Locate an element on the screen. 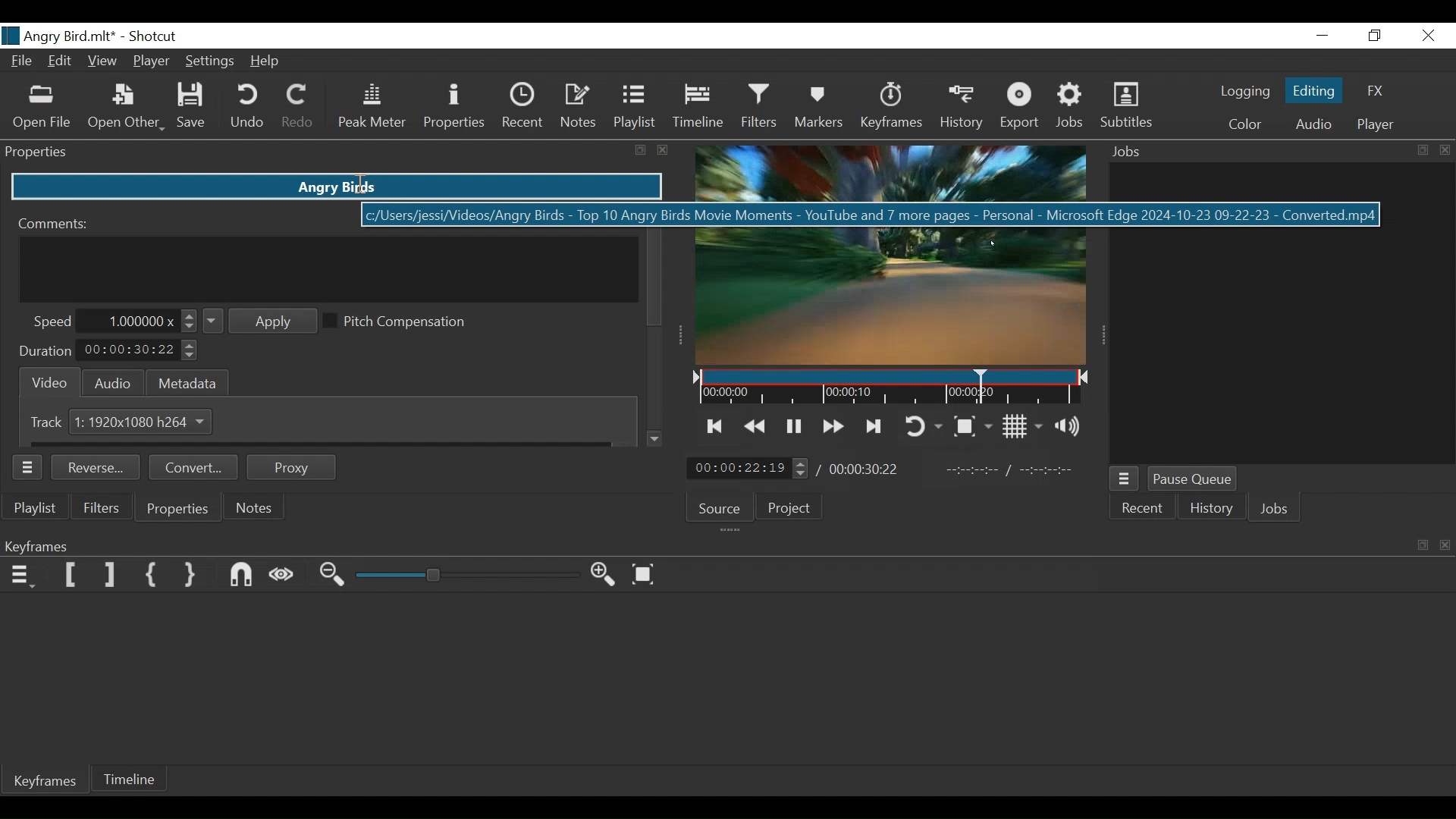 This screenshot has height=819, width=1456. Timeline is located at coordinates (698, 108).